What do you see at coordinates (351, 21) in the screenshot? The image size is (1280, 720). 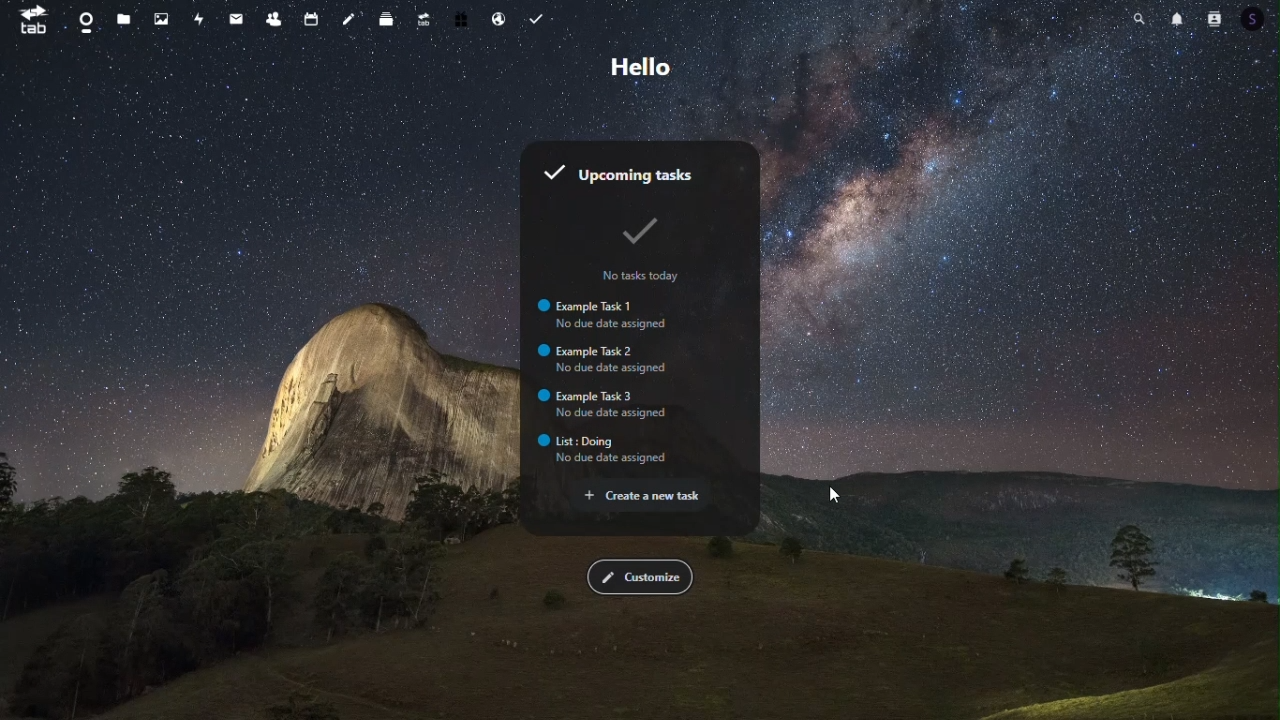 I see `notes` at bounding box center [351, 21].